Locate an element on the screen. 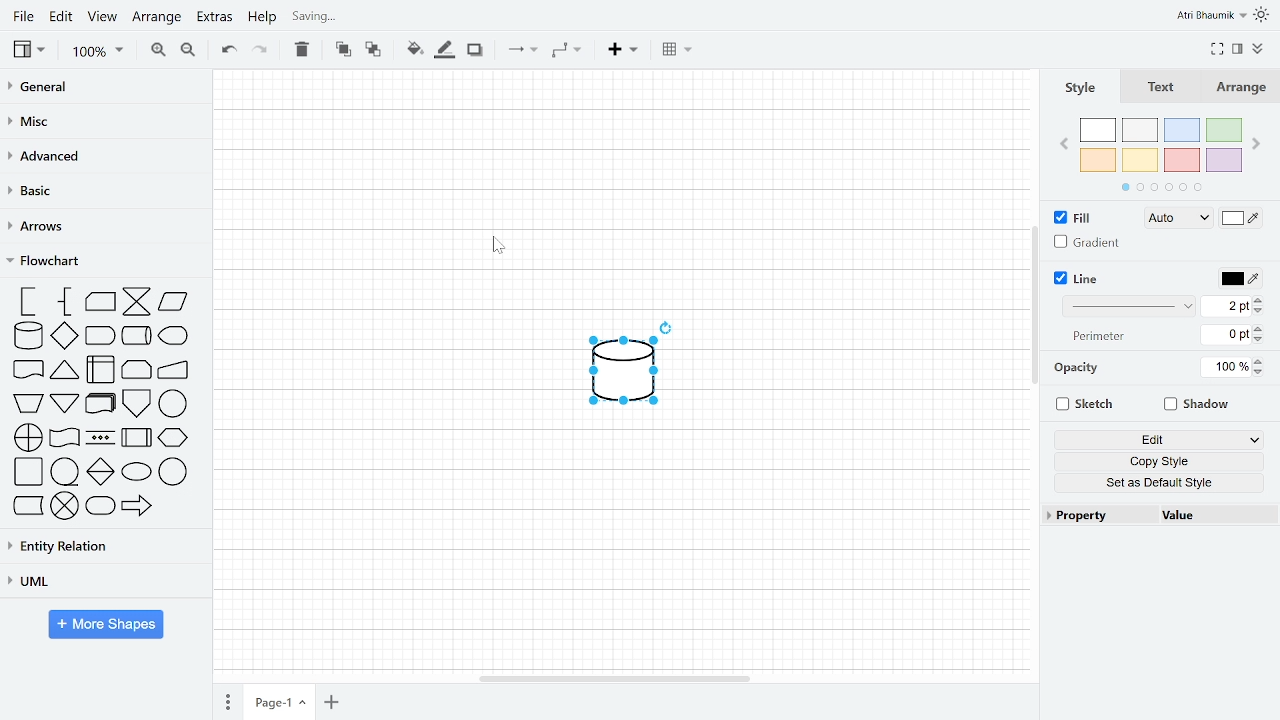 Image resolution: width=1280 pixels, height=720 pixels. MISC is located at coordinates (98, 120).